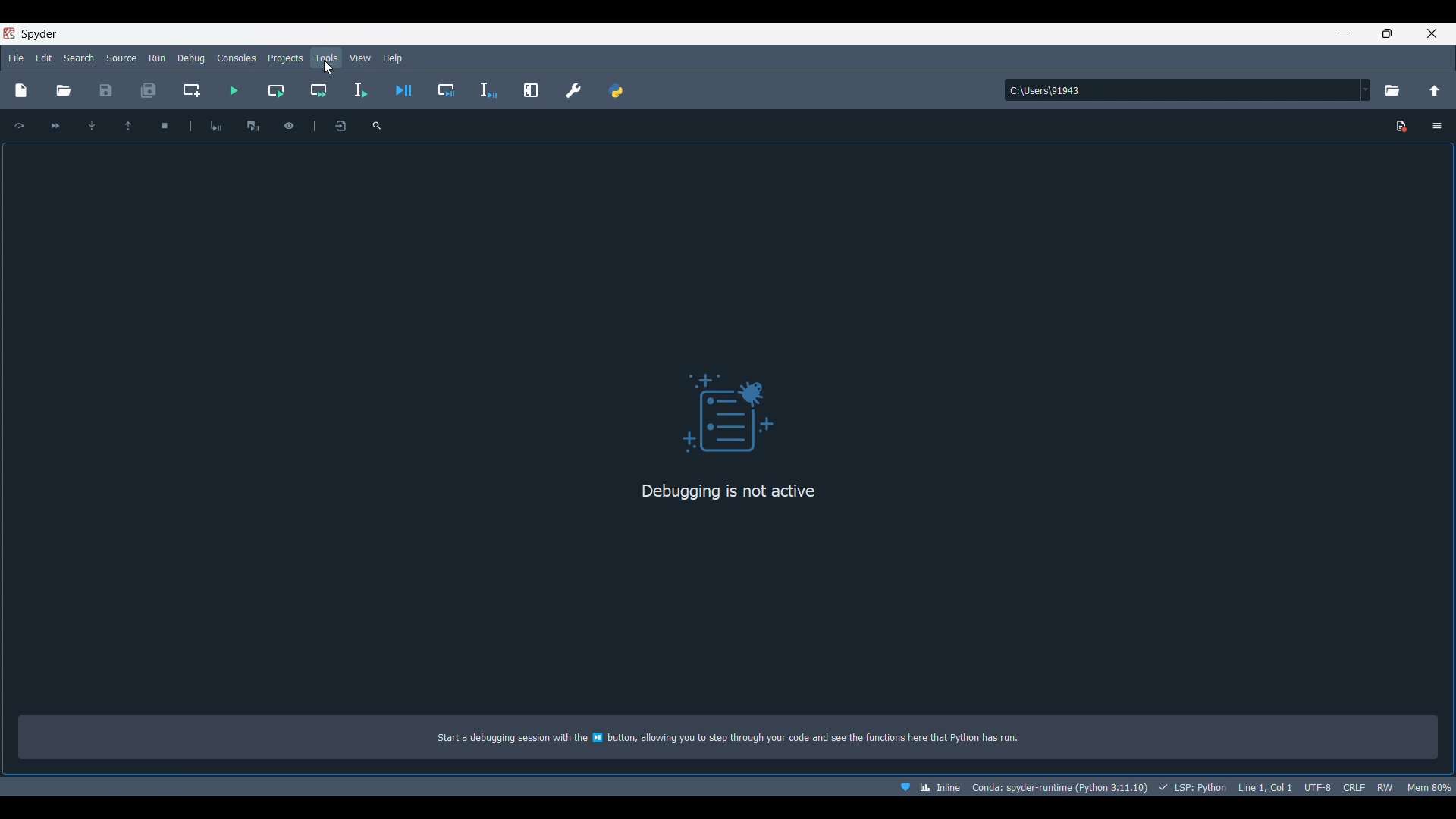 This screenshot has height=819, width=1456. What do you see at coordinates (359, 58) in the screenshot?
I see `View menu` at bounding box center [359, 58].